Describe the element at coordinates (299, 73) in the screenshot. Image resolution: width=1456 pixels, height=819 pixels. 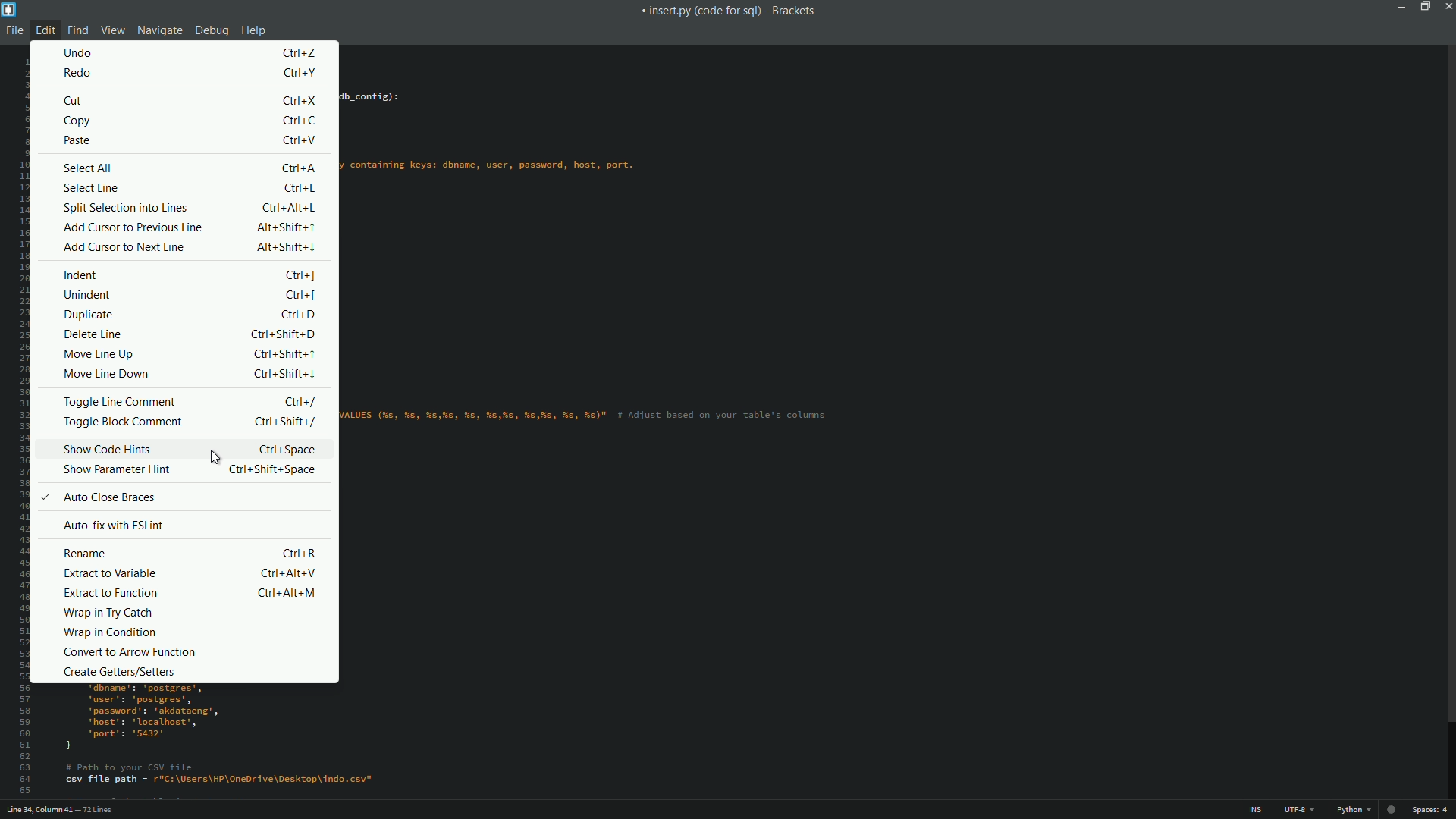
I see `keyboard shortcut` at that location.